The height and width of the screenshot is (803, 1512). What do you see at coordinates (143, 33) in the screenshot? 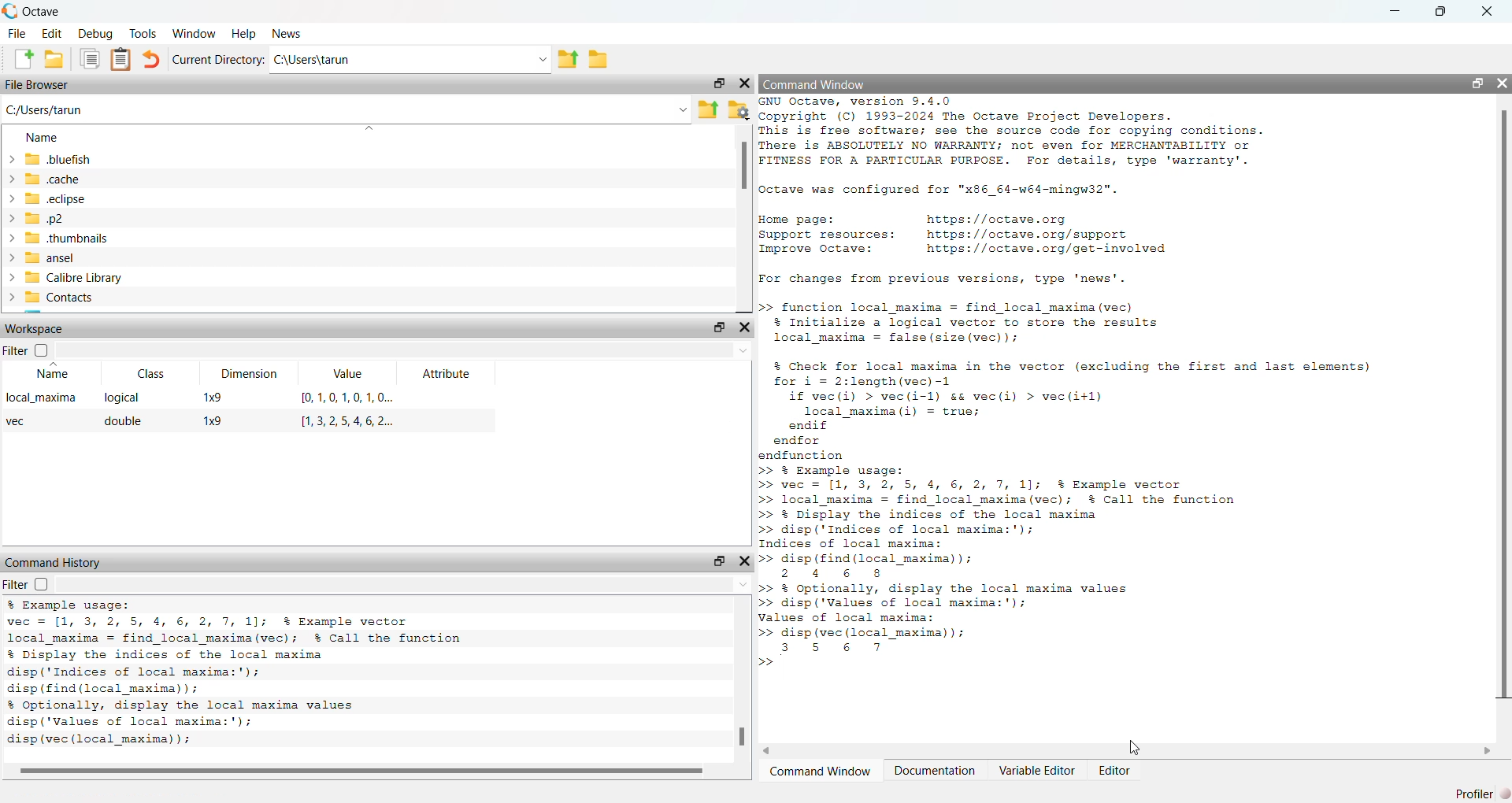
I see `Tools` at bounding box center [143, 33].